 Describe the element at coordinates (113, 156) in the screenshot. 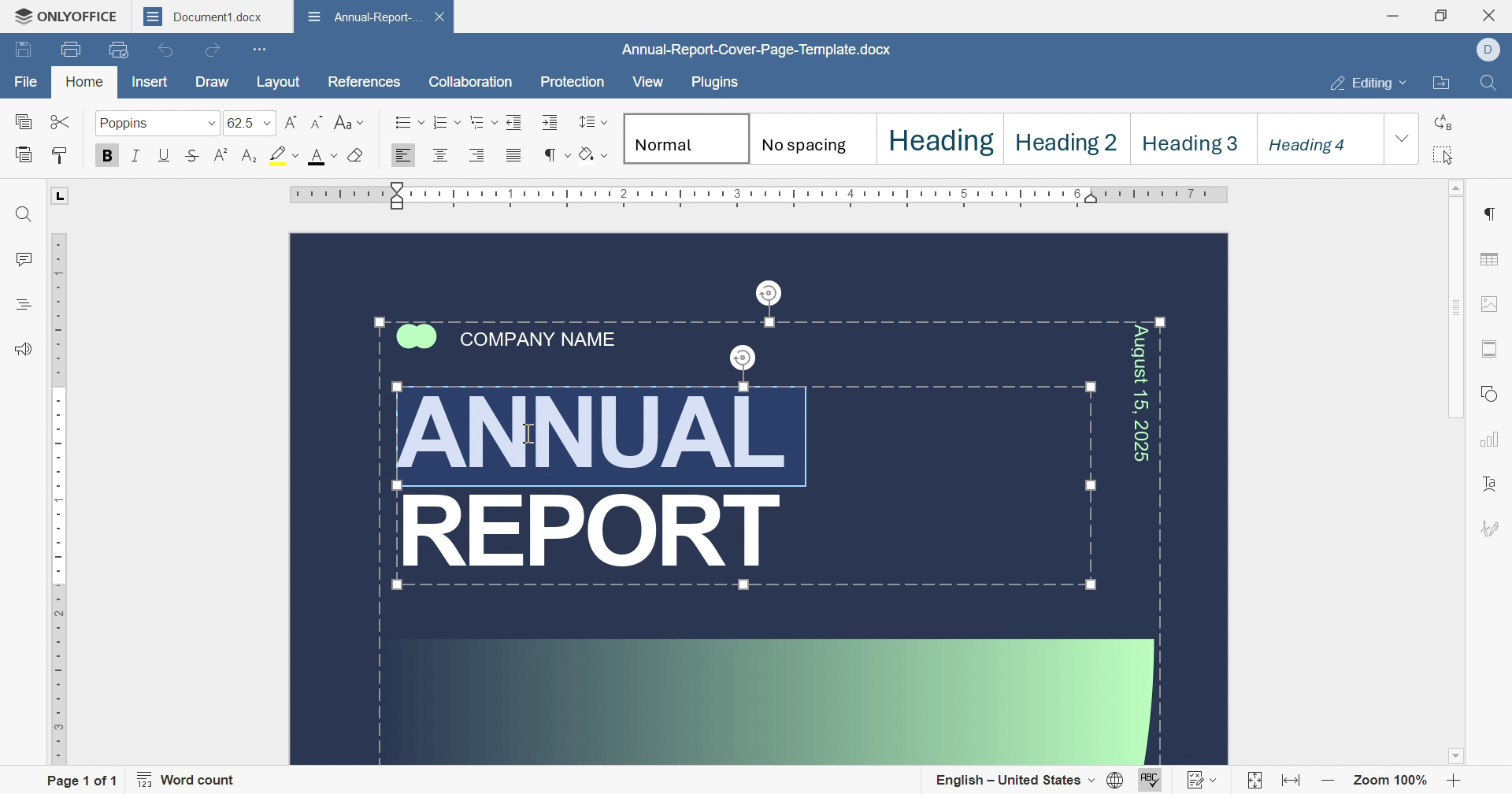

I see `bold` at that location.